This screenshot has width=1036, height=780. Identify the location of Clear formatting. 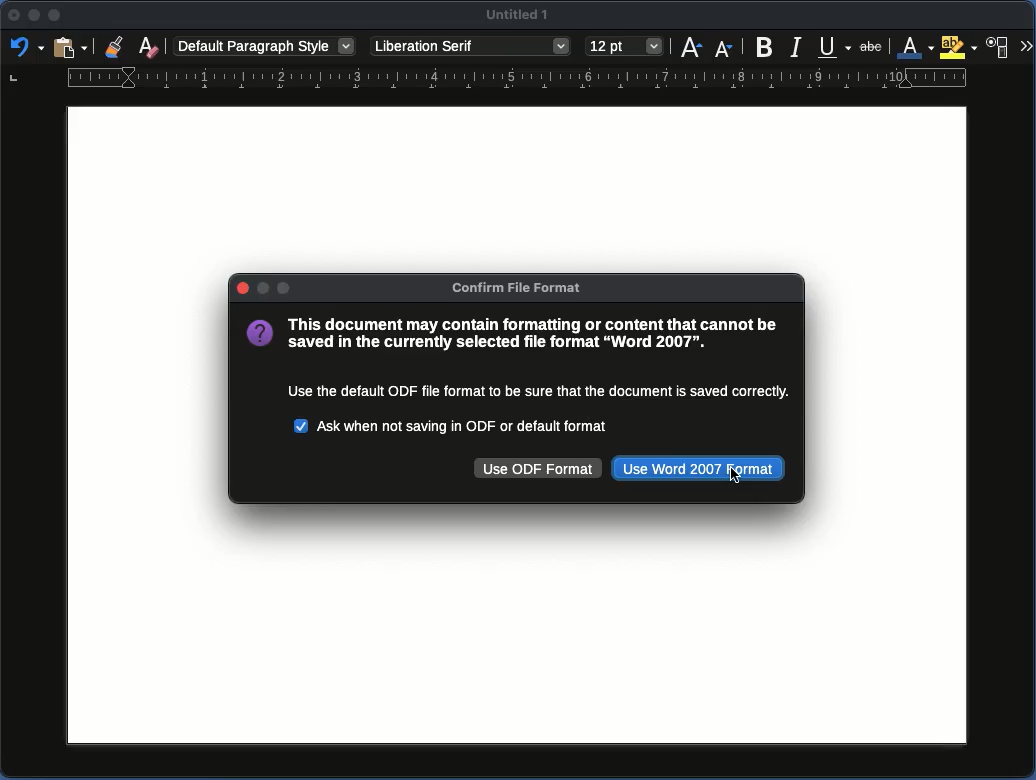
(148, 45).